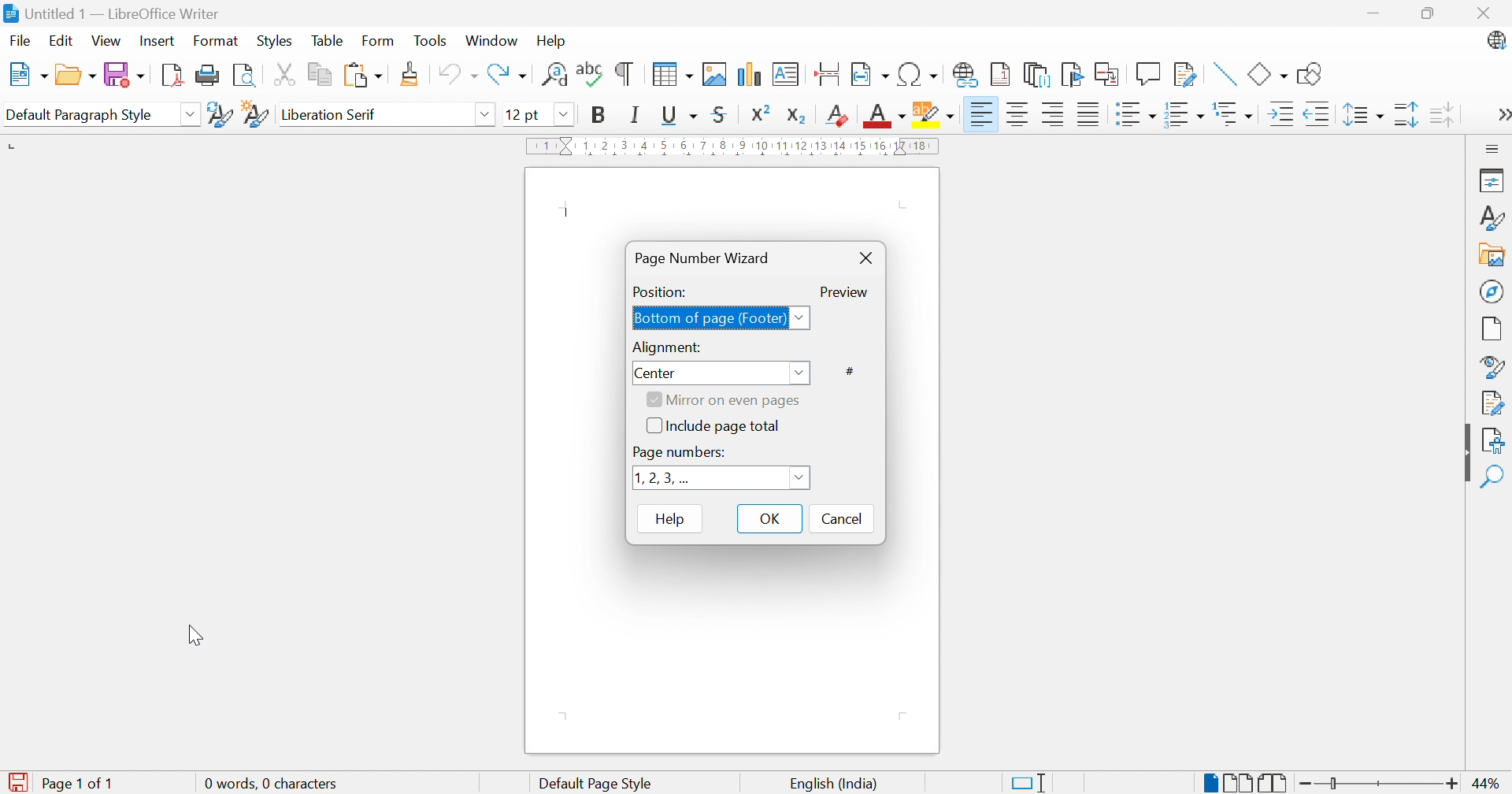 This screenshot has height=794, width=1512. I want to click on Drop down, so click(194, 115).